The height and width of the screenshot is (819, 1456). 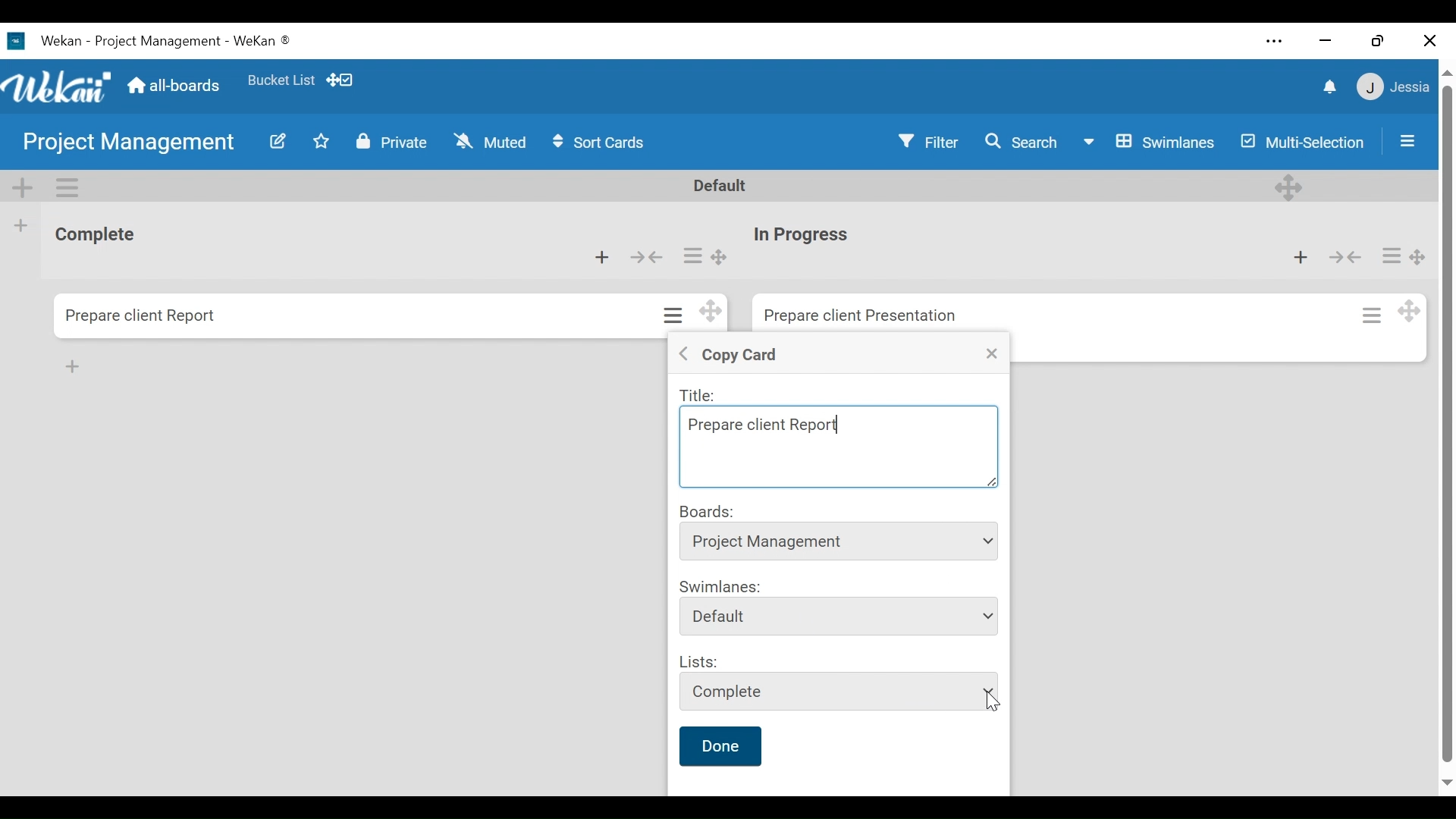 I want to click on Cursor, so click(x=991, y=702).